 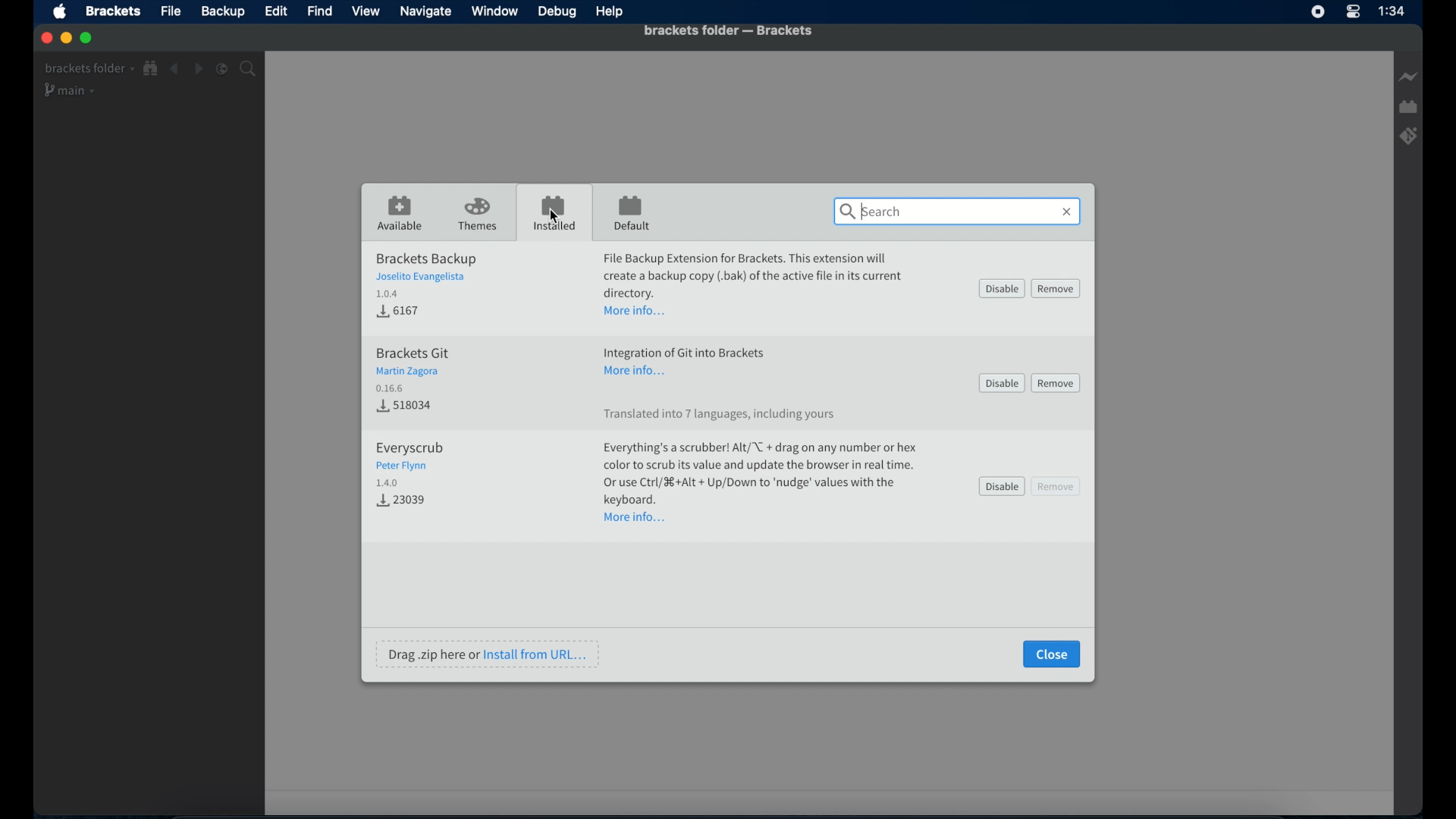 What do you see at coordinates (556, 215) in the screenshot?
I see `Cursor` at bounding box center [556, 215].